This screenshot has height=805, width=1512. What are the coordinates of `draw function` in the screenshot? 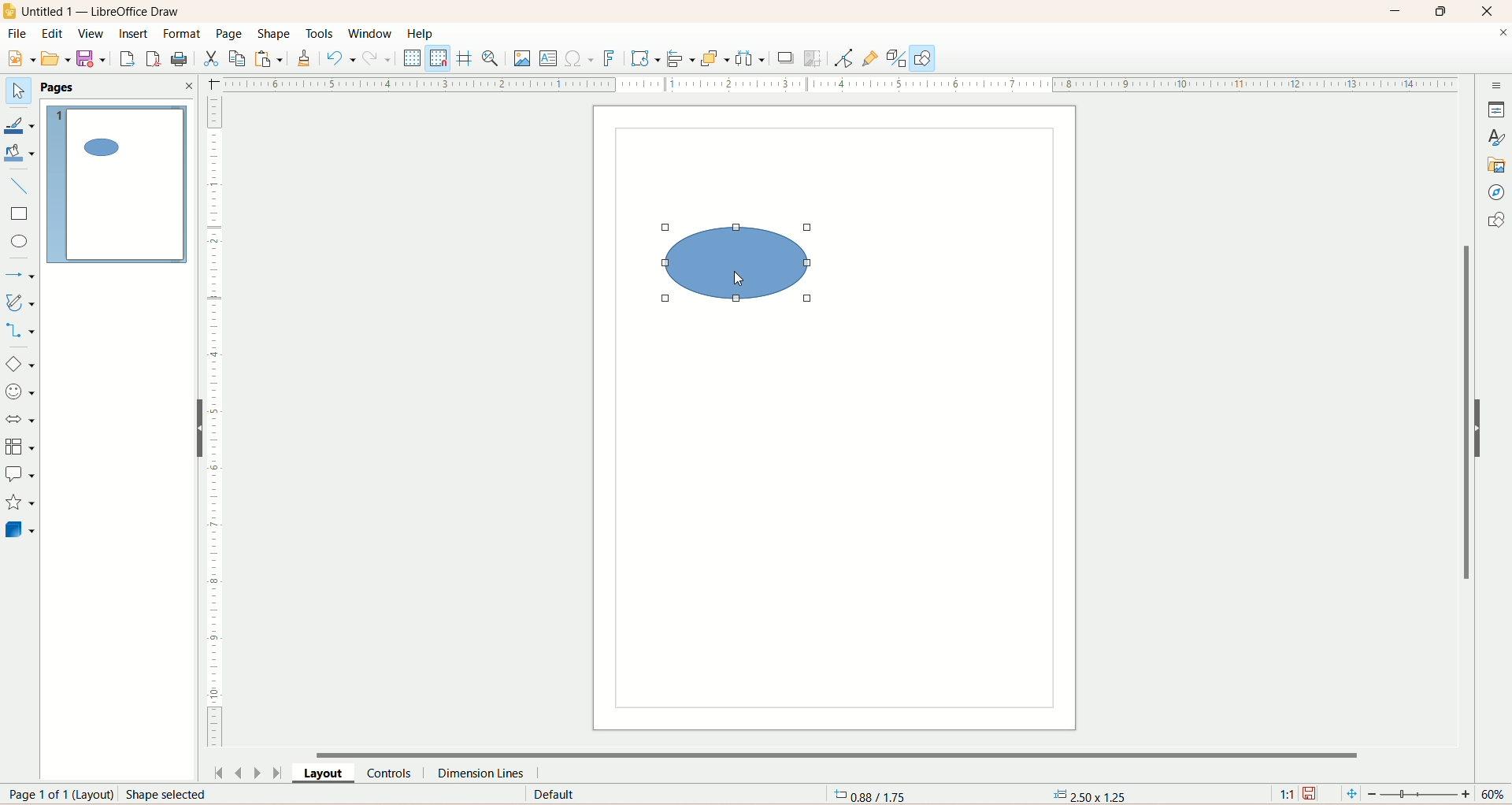 It's located at (925, 59).